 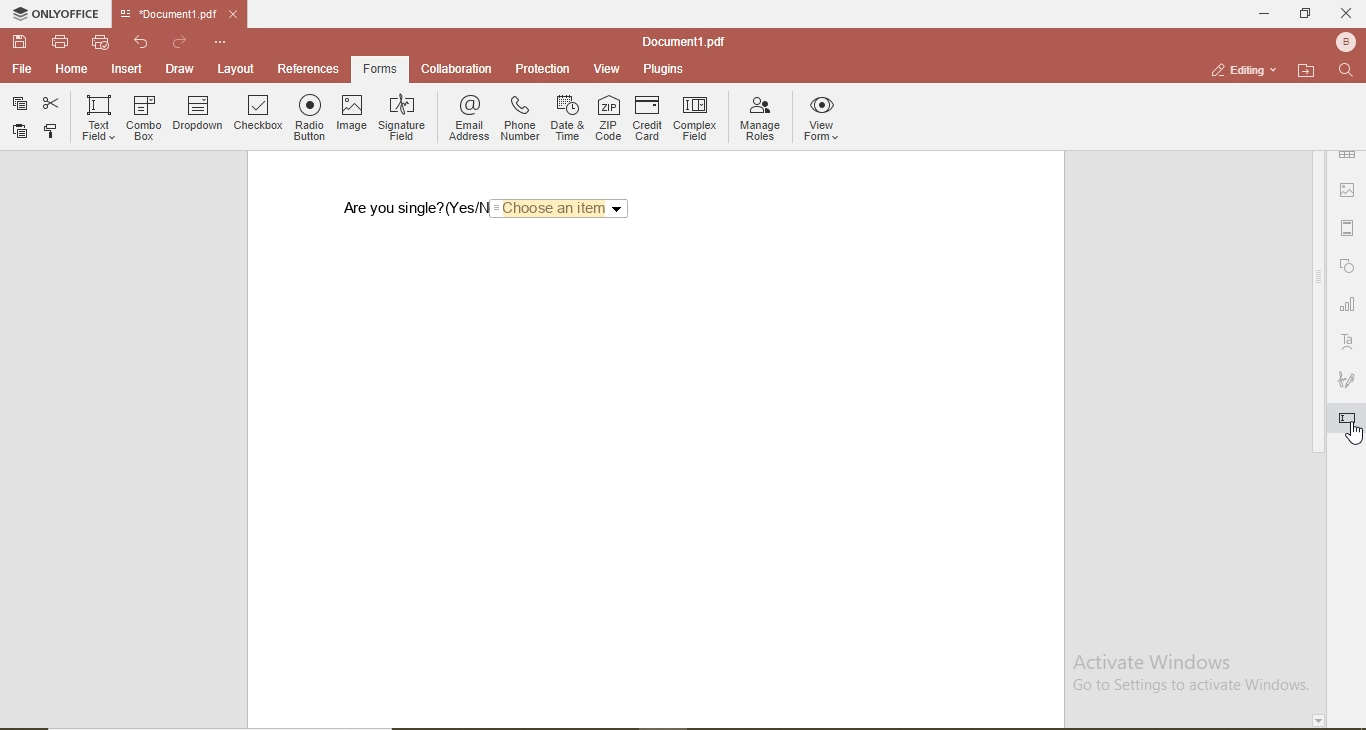 What do you see at coordinates (1318, 407) in the screenshot?
I see `scroll bar` at bounding box center [1318, 407].